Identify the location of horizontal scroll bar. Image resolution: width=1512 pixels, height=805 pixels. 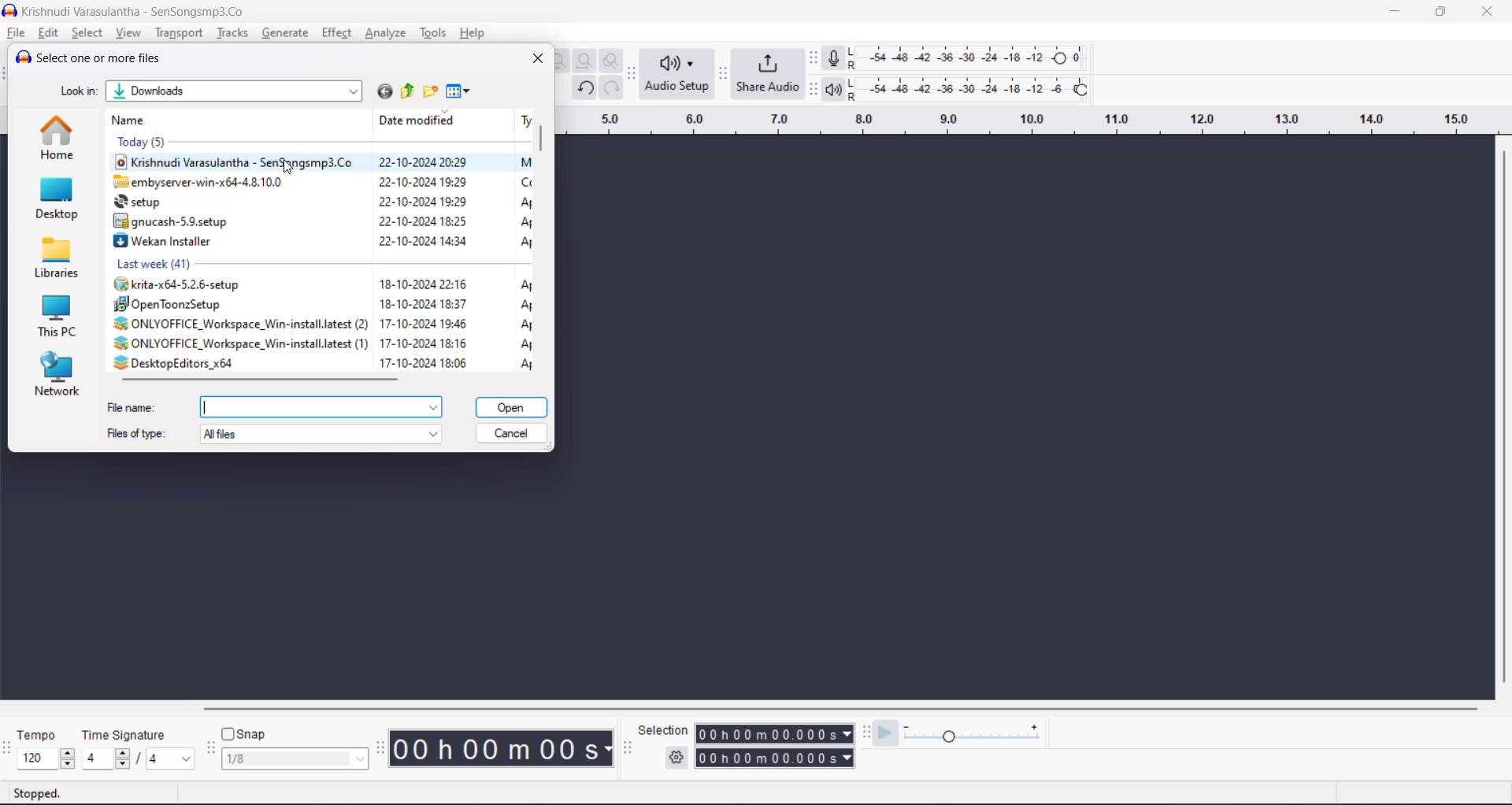
(267, 380).